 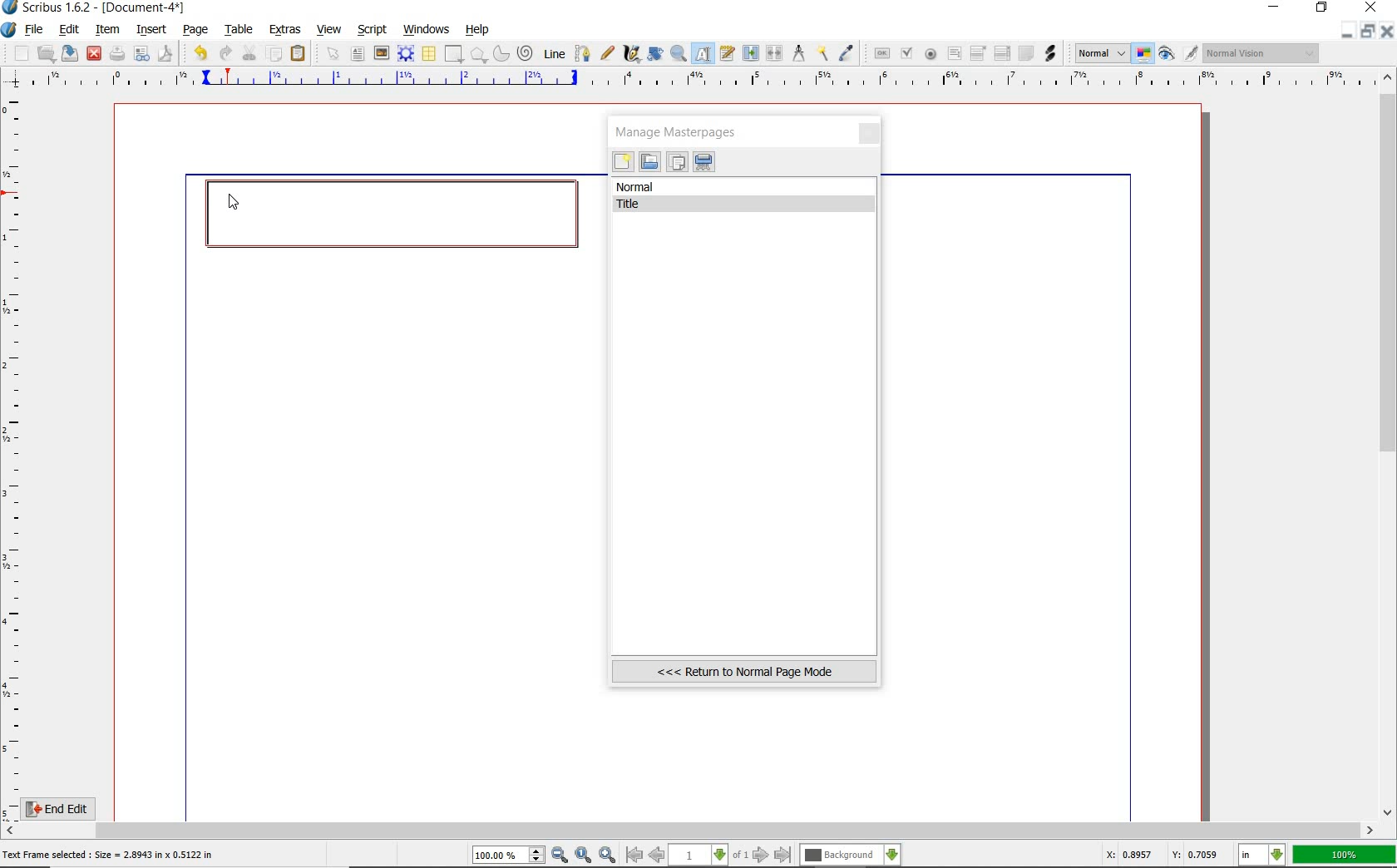 I want to click on Return to normal page mode, so click(x=744, y=671).